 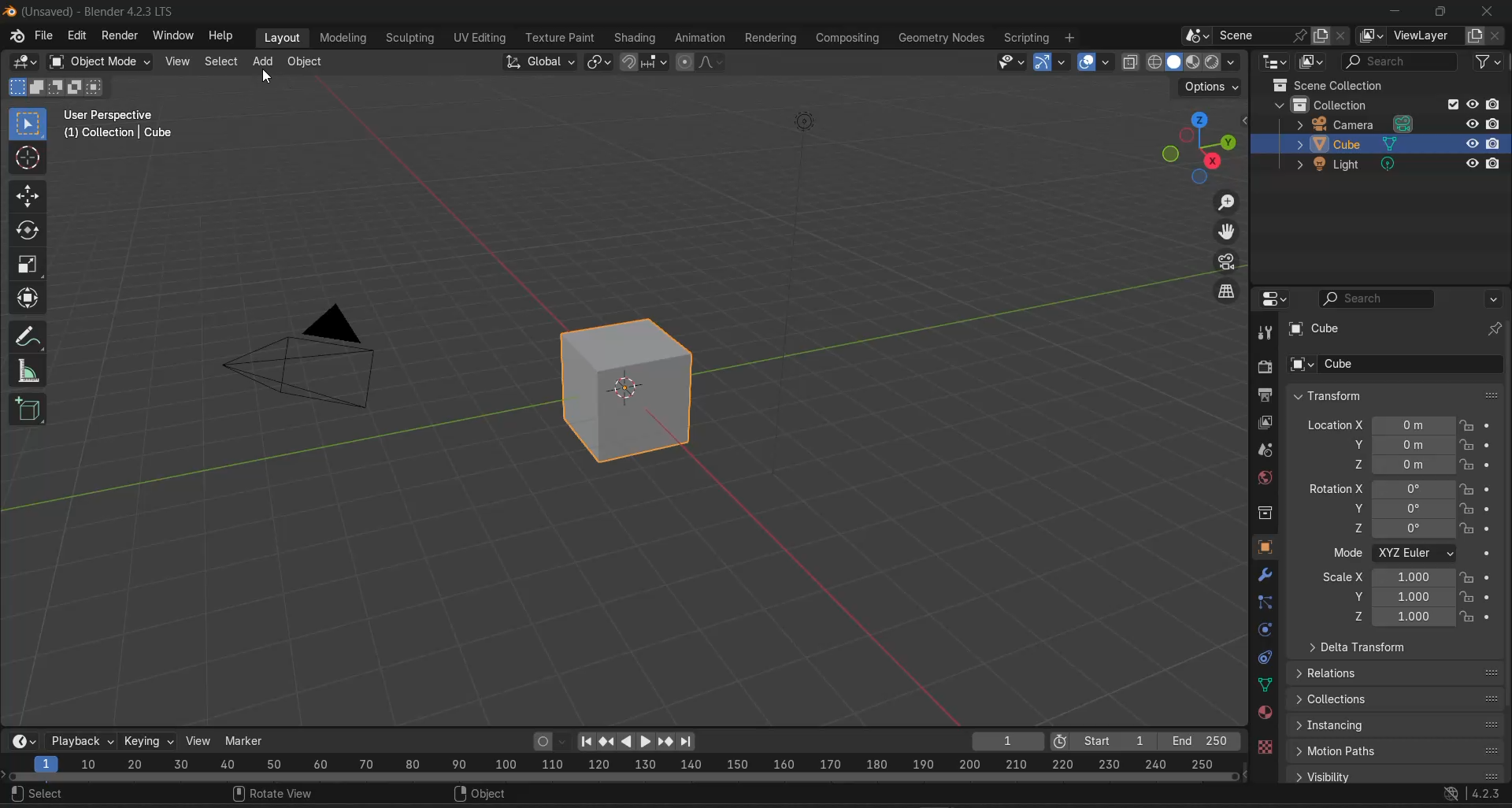 What do you see at coordinates (150, 743) in the screenshot?
I see `keying` at bounding box center [150, 743].